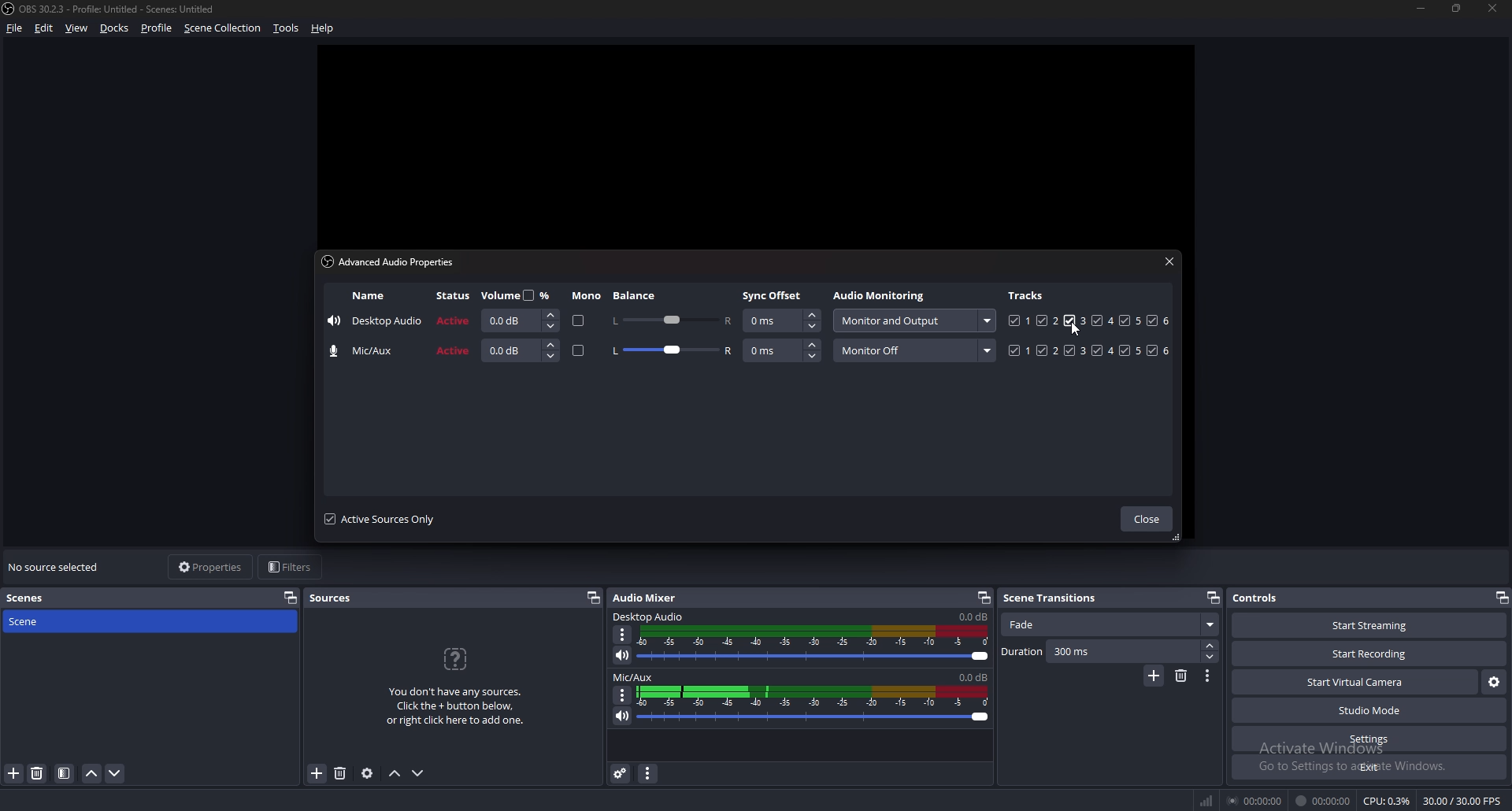 The width and height of the screenshot is (1512, 811). Describe the element at coordinates (650, 617) in the screenshot. I see `desktop audio` at that location.